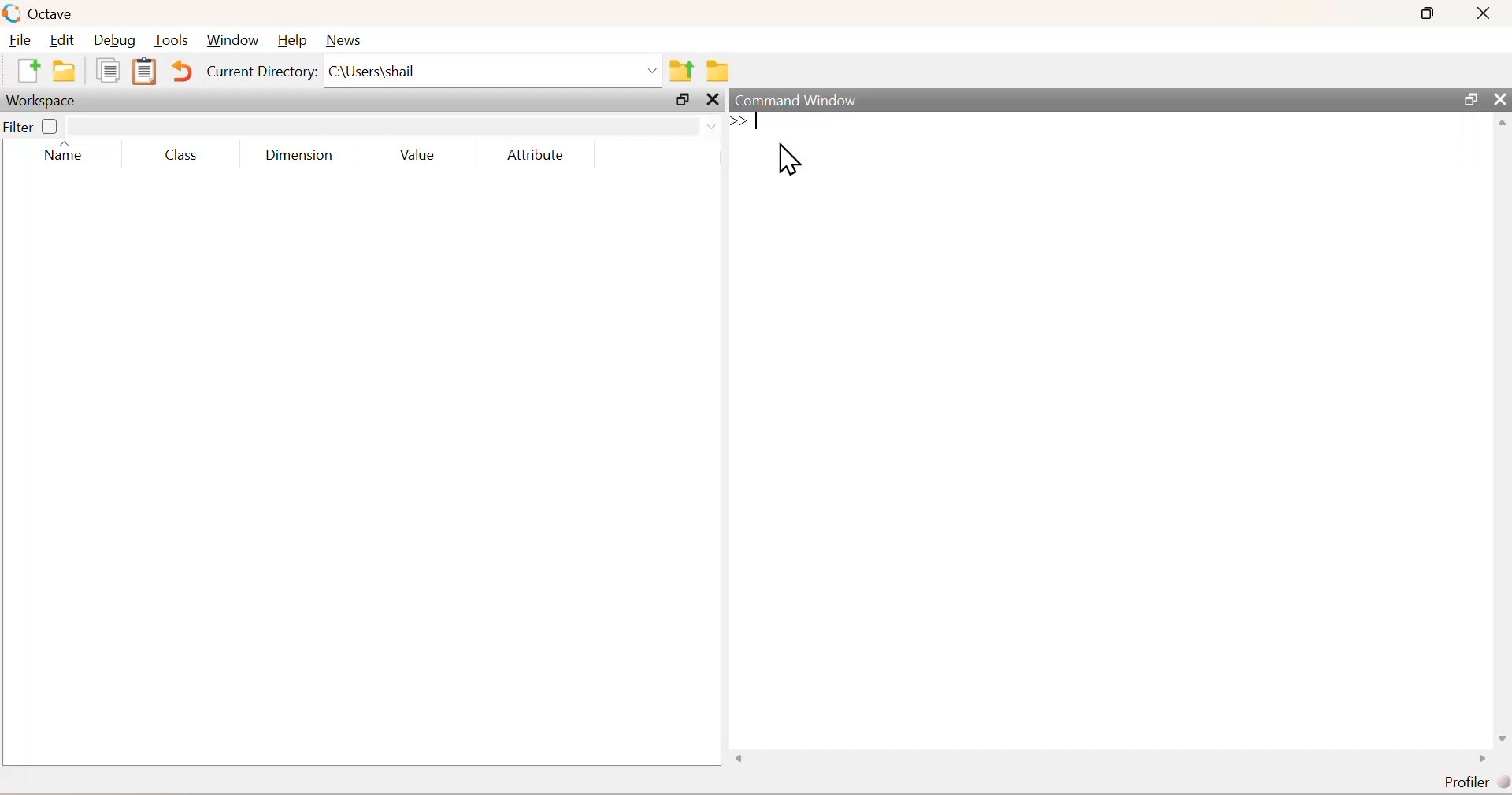  Describe the element at coordinates (1429, 14) in the screenshot. I see `resize` at that location.